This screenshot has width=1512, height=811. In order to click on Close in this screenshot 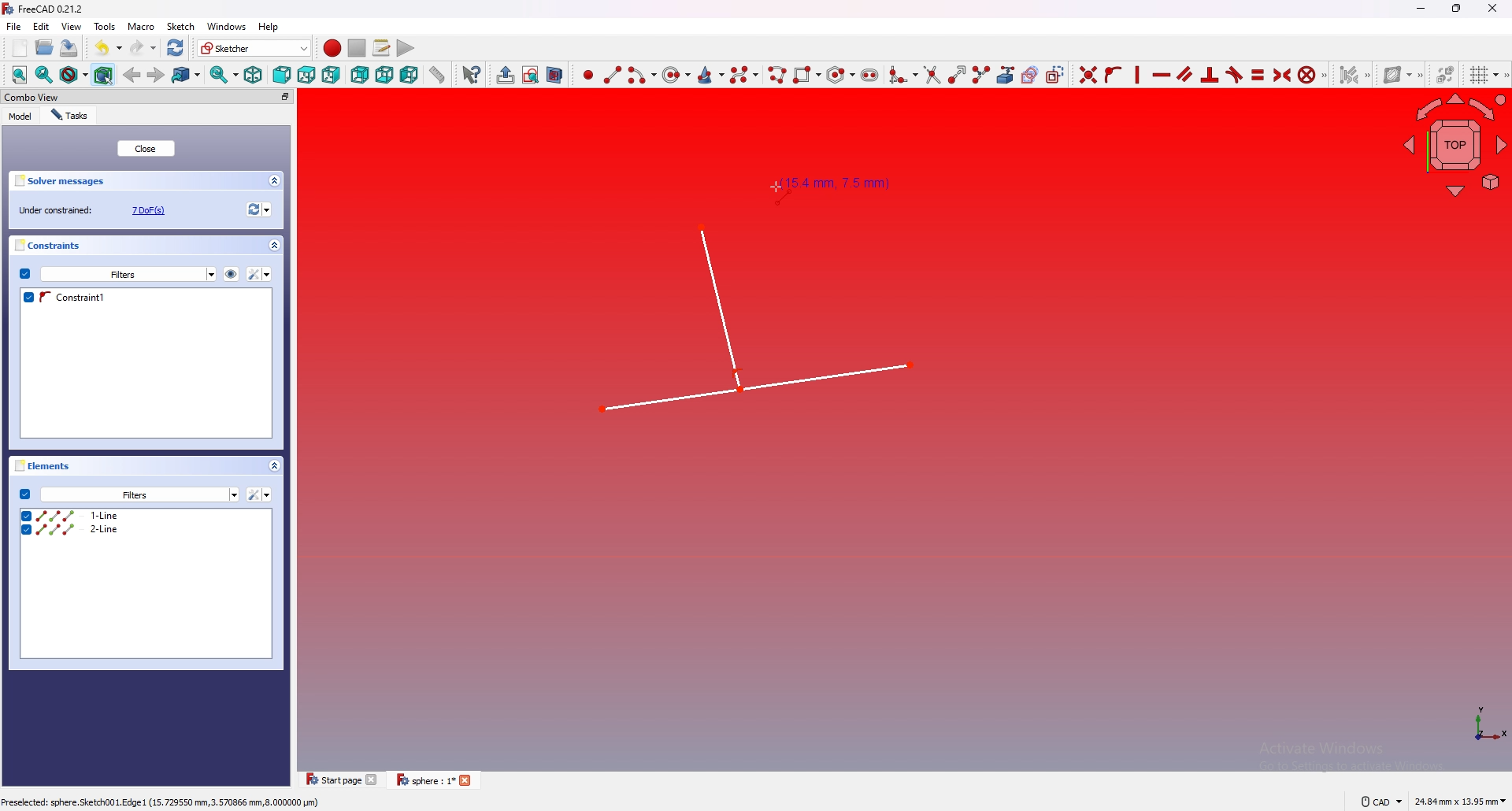, I will do `click(1492, 8)`.